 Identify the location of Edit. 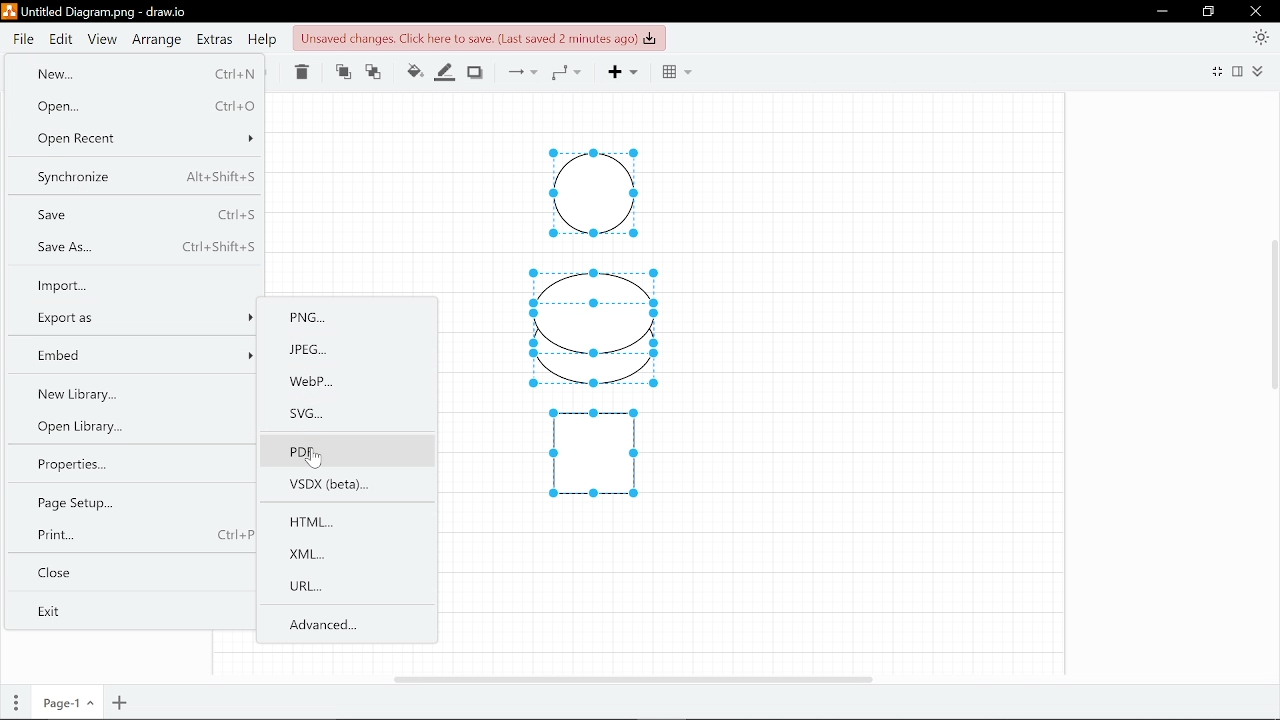
(57, 40).